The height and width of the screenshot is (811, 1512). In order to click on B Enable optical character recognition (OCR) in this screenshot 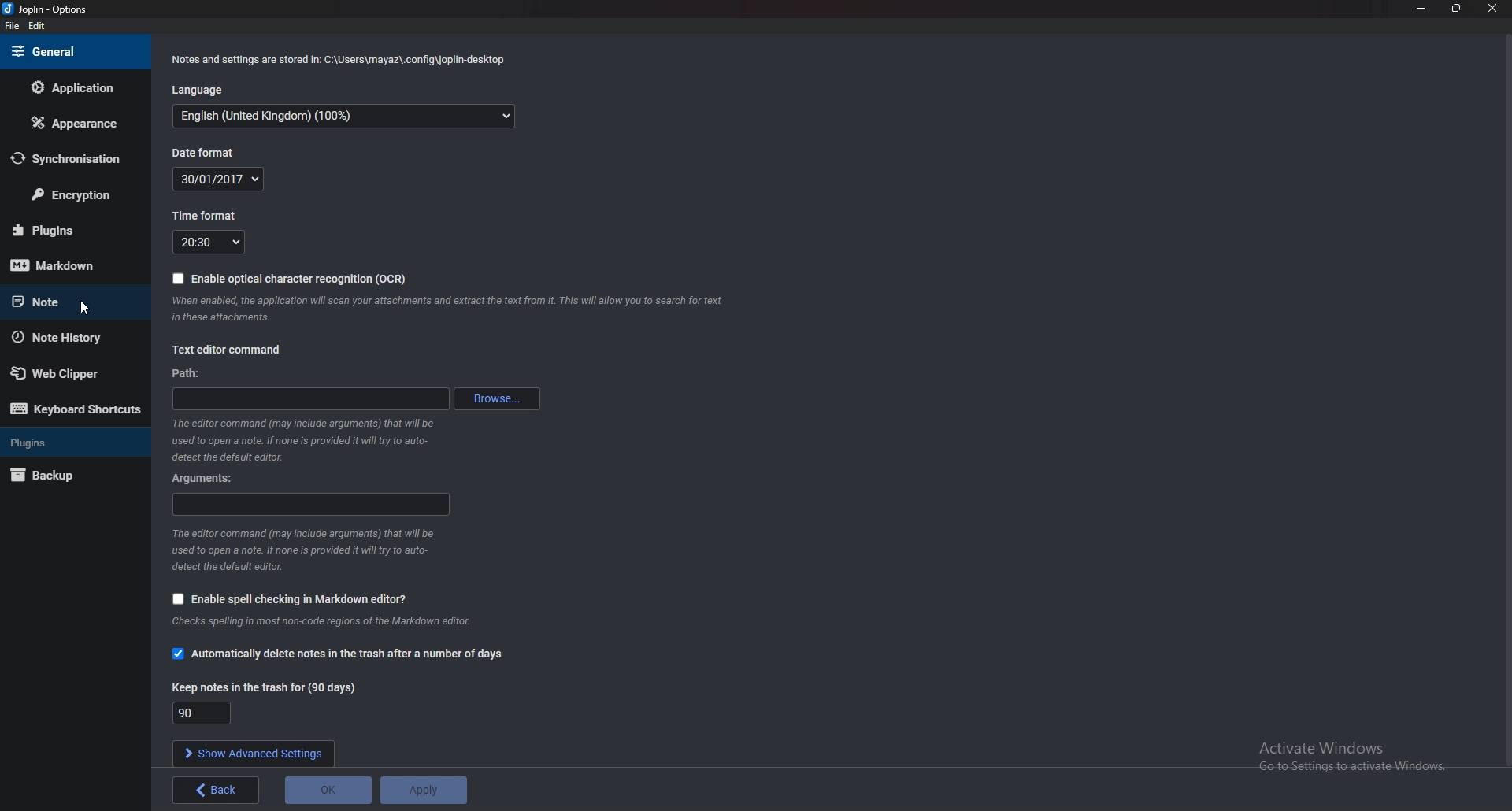, I will do `click(287, 280)`.